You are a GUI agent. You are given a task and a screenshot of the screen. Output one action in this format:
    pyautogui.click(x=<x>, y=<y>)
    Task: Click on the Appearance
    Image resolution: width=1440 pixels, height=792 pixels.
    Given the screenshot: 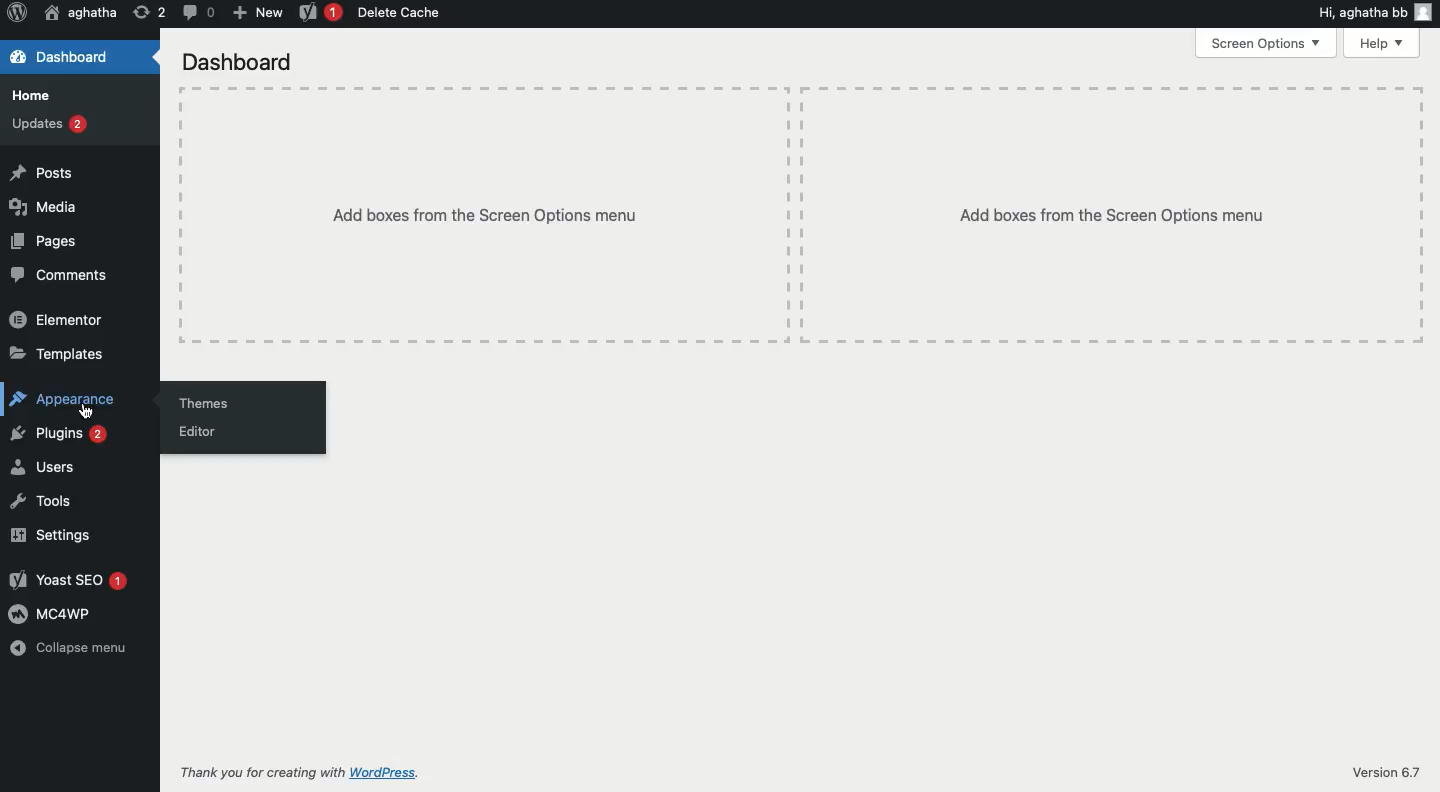 What is the action you would take?
    pyautogui.click(x=66, y=403)
    